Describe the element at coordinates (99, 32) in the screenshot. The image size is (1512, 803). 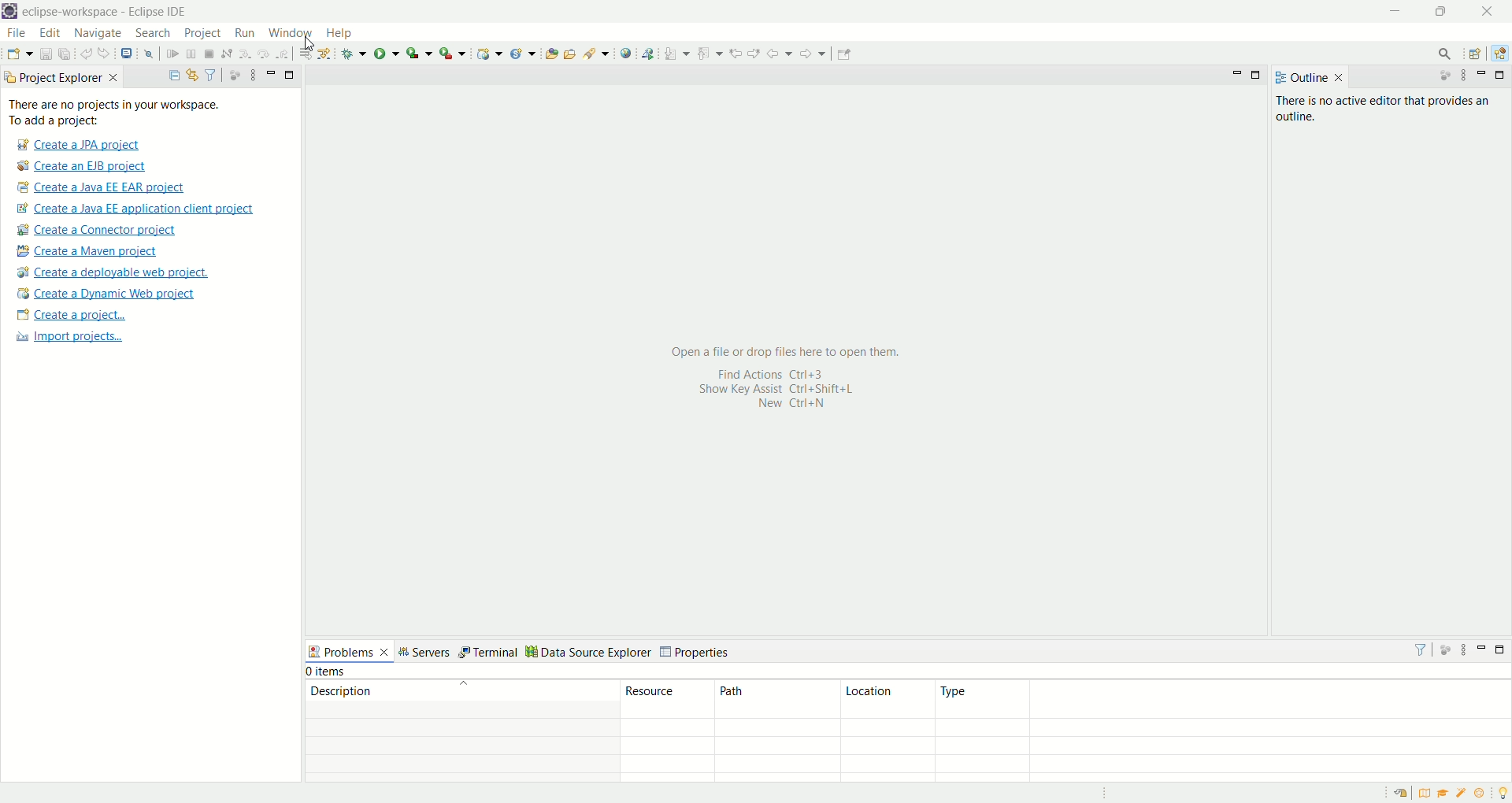
I see `navigate` at that location.